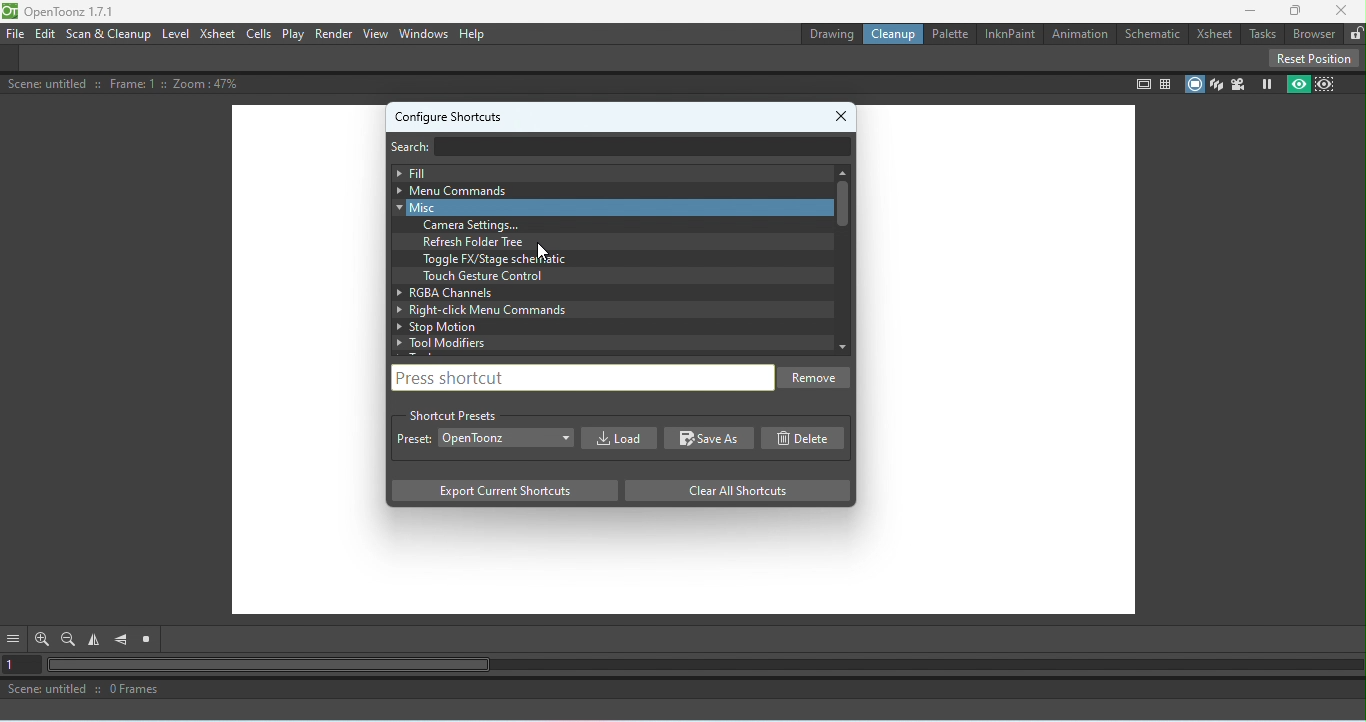 The height and width of the screenshot is (722, 1366). I want to click on Camera settings, so click(477, 225).